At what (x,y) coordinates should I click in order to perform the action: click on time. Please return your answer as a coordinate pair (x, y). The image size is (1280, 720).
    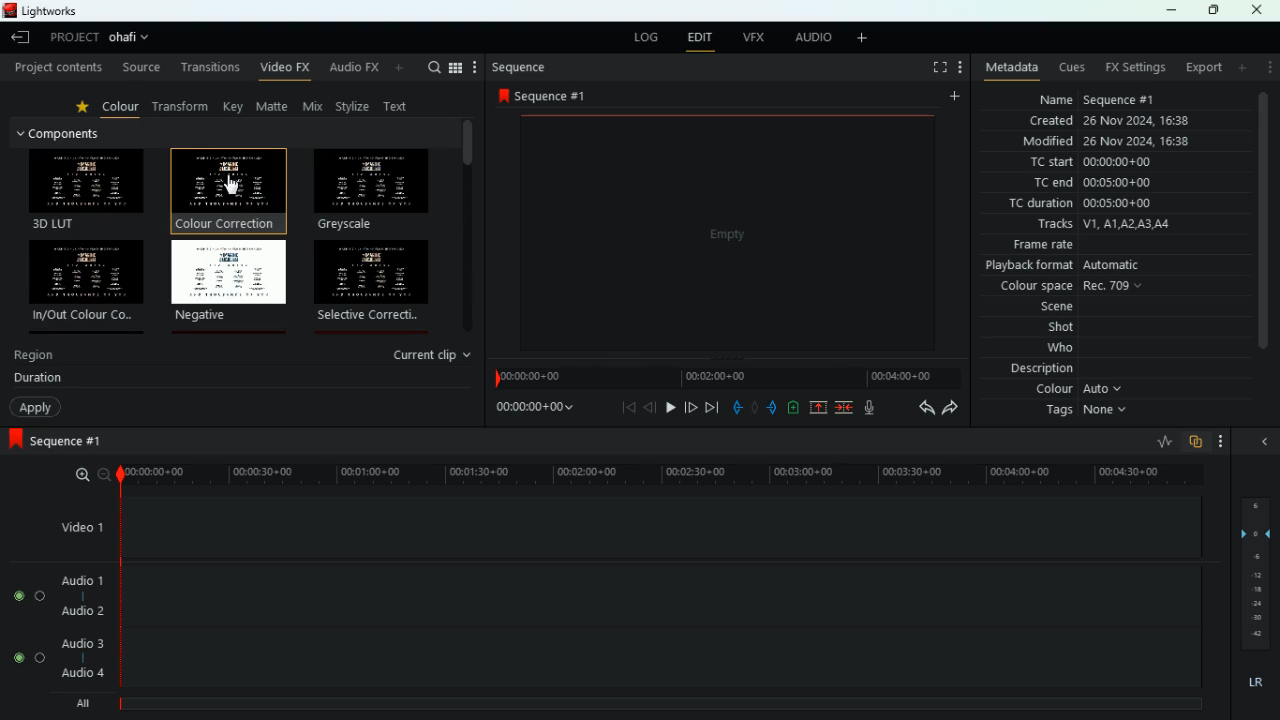
    Looking at the image, I should click on (653, 471).